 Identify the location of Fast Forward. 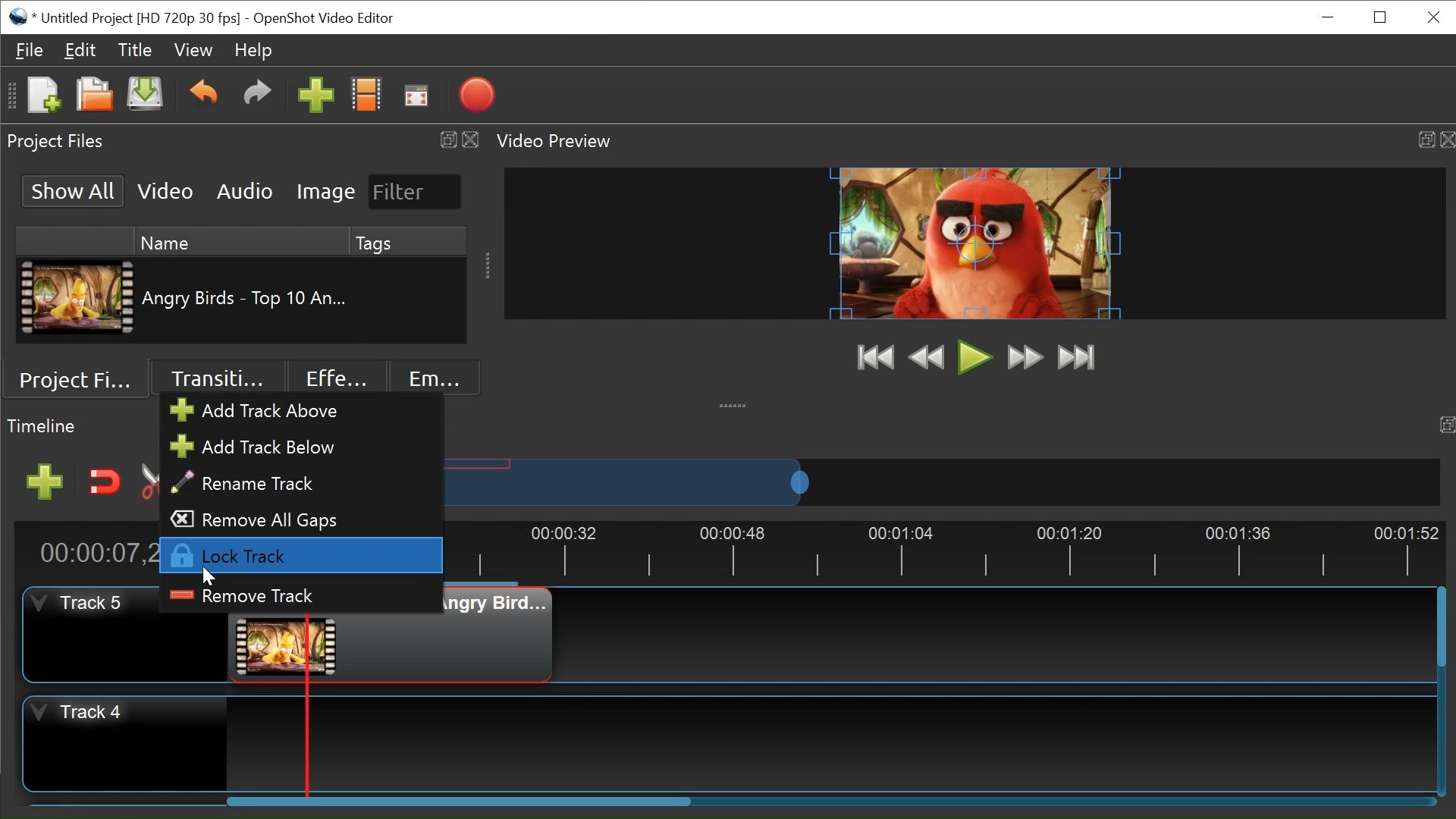
(1025, 357).